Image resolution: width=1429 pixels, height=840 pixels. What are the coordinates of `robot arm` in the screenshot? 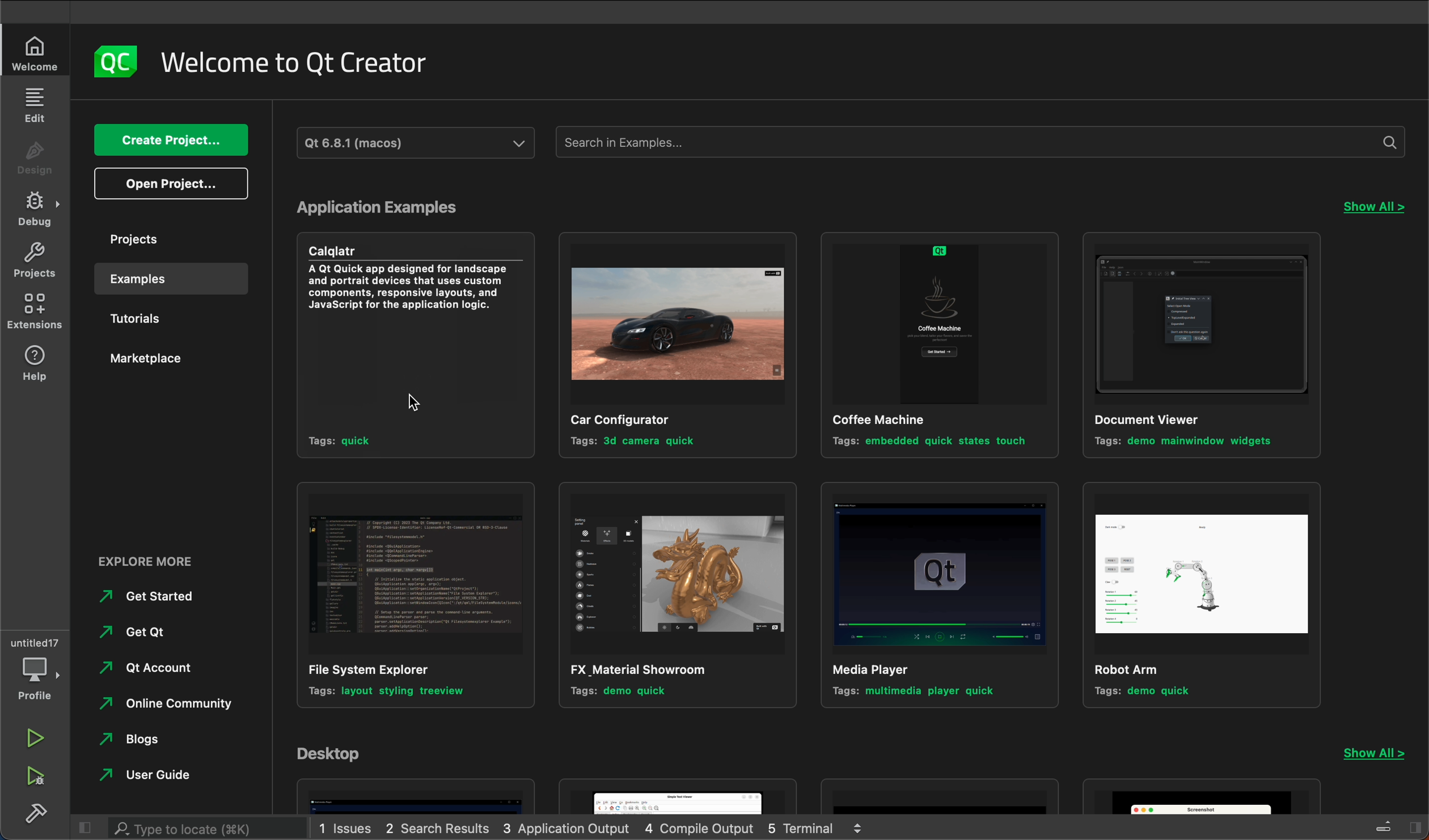 It's located at (1204, 595).